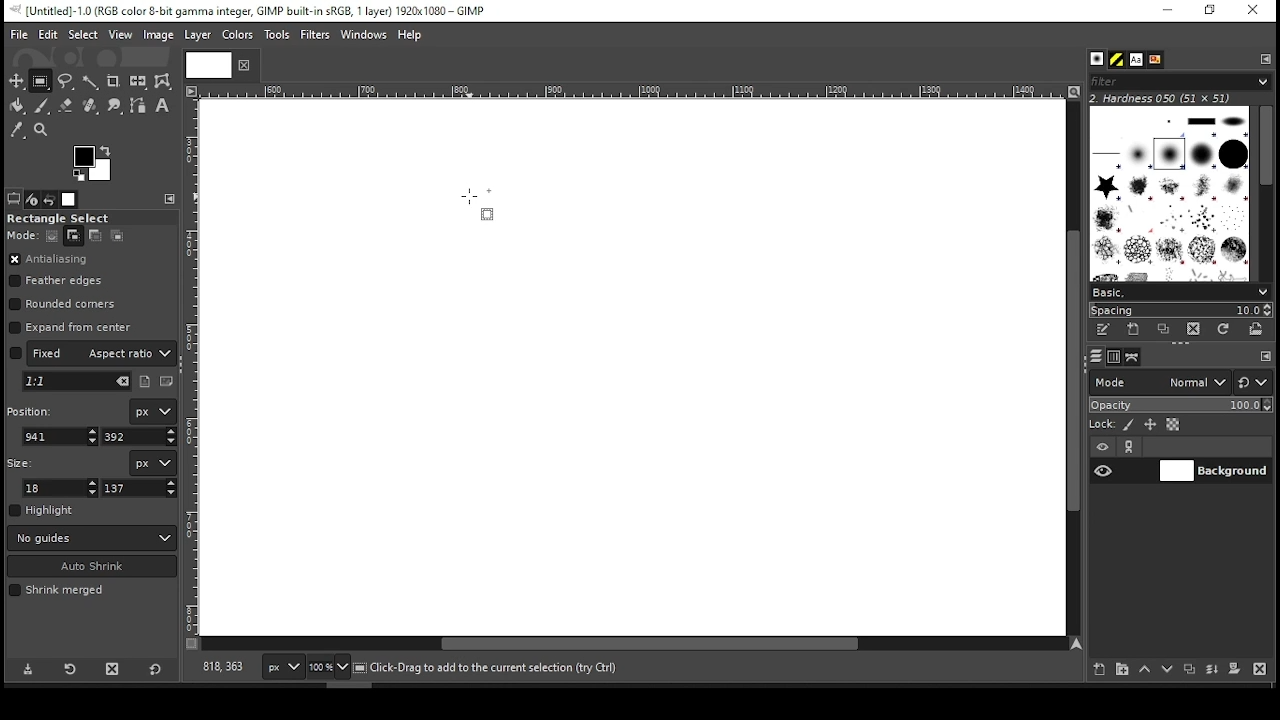  What do you see at coordinates (242, 65) in the screenshot?
I see `close` at bounding box center [242, 65].